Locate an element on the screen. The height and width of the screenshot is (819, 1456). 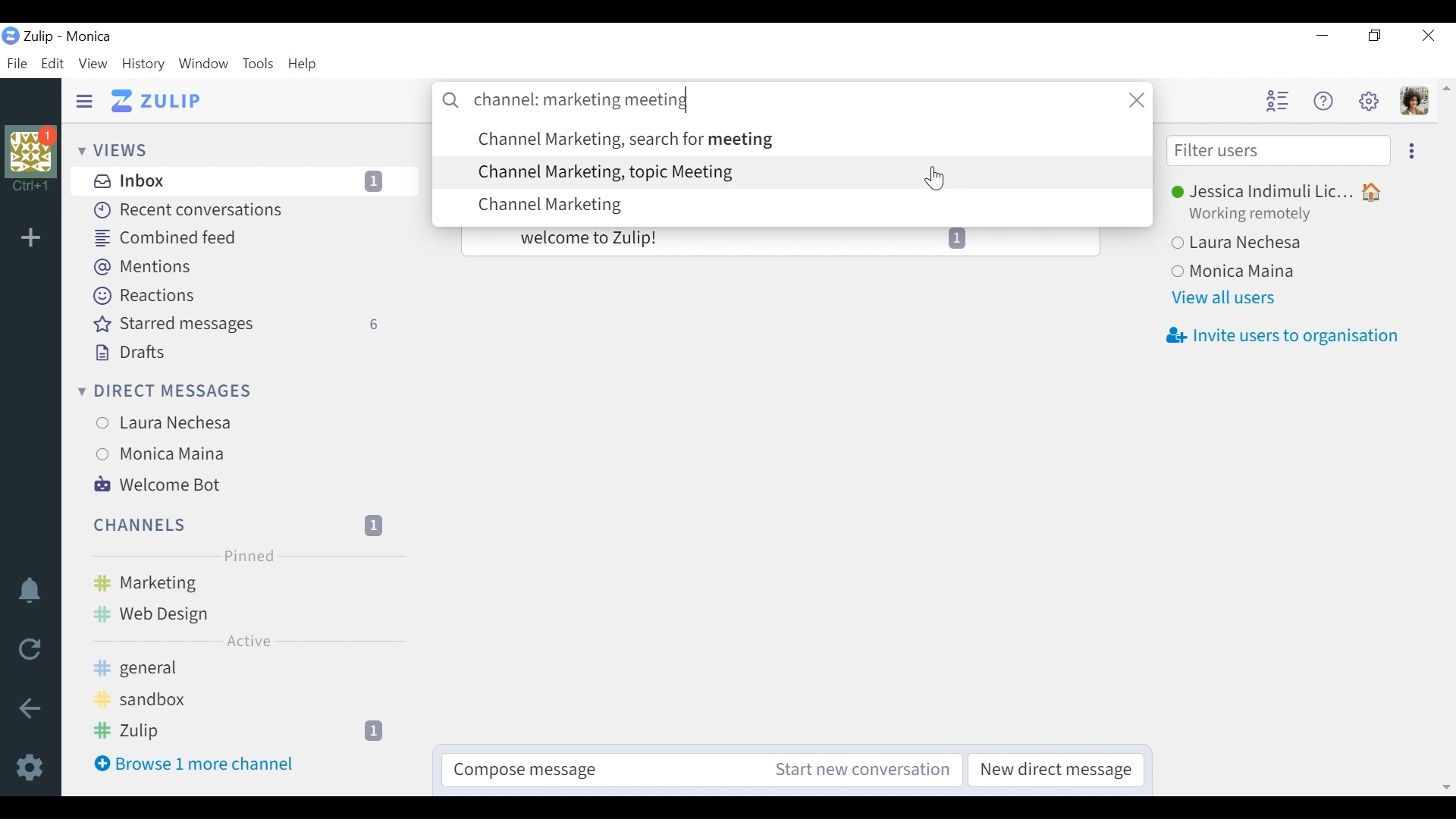
Edit is located at coordinates (56, 65).